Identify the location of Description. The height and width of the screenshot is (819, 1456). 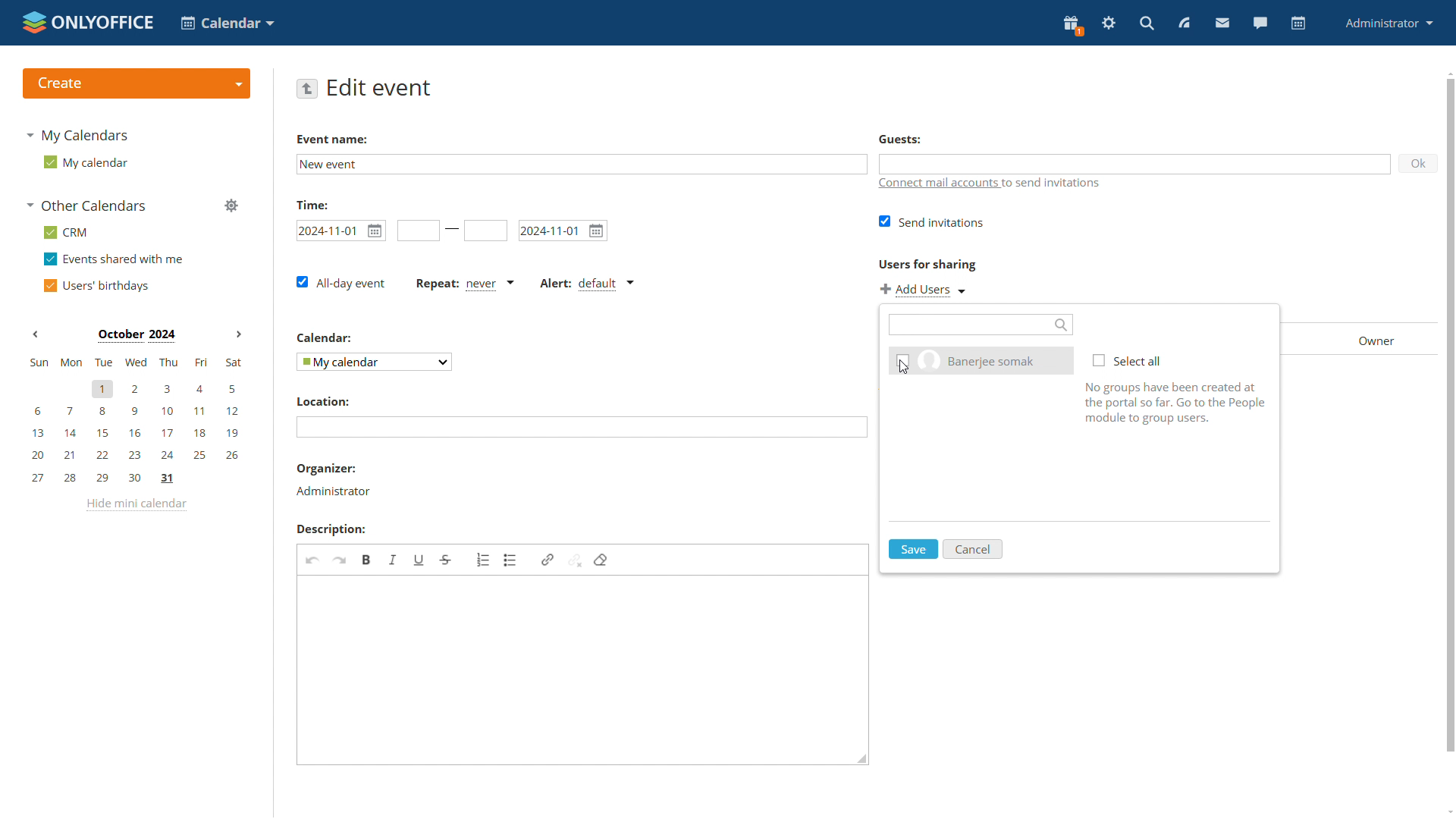
(330, 530).